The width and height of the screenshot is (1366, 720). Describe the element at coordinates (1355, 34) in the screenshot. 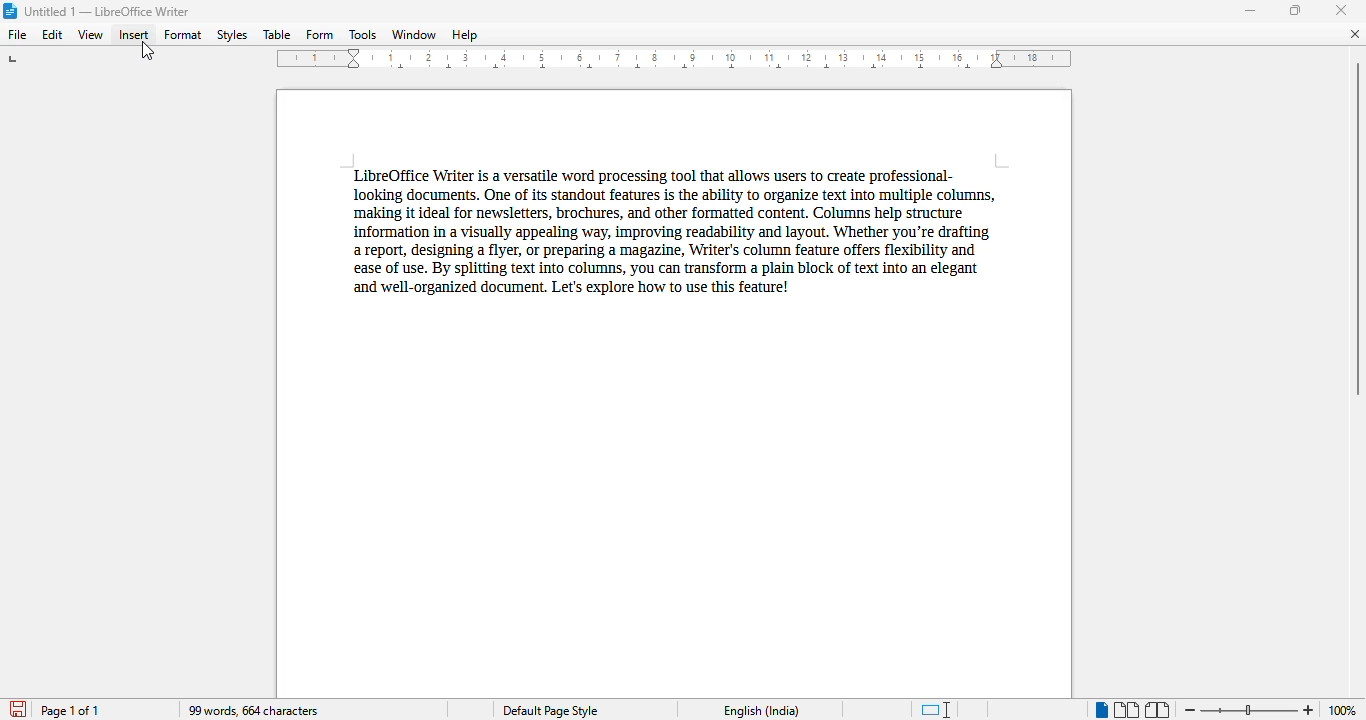

I see `close documemt` at that location.